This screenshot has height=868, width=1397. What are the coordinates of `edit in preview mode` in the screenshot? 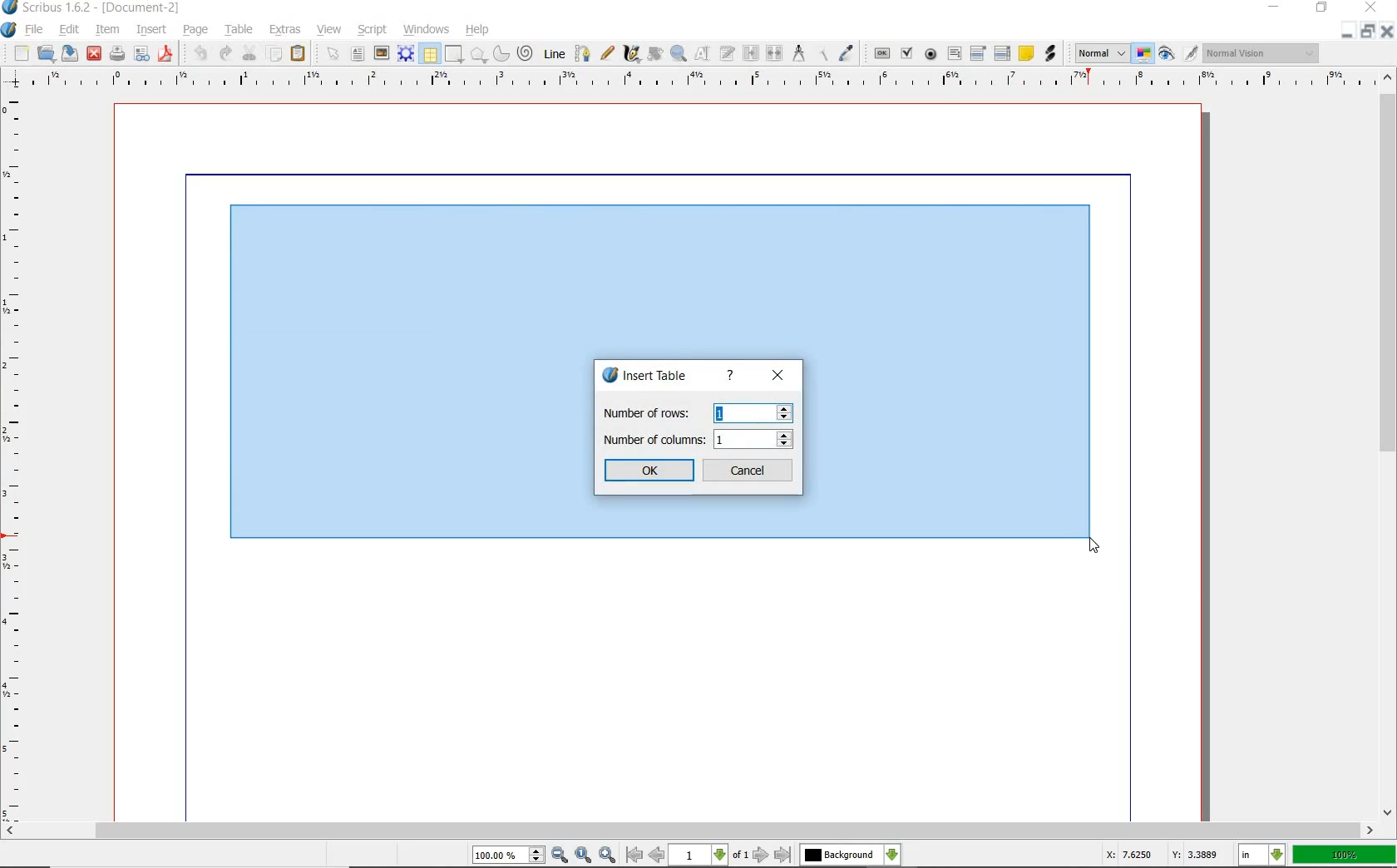 It's located at (1190, 53).